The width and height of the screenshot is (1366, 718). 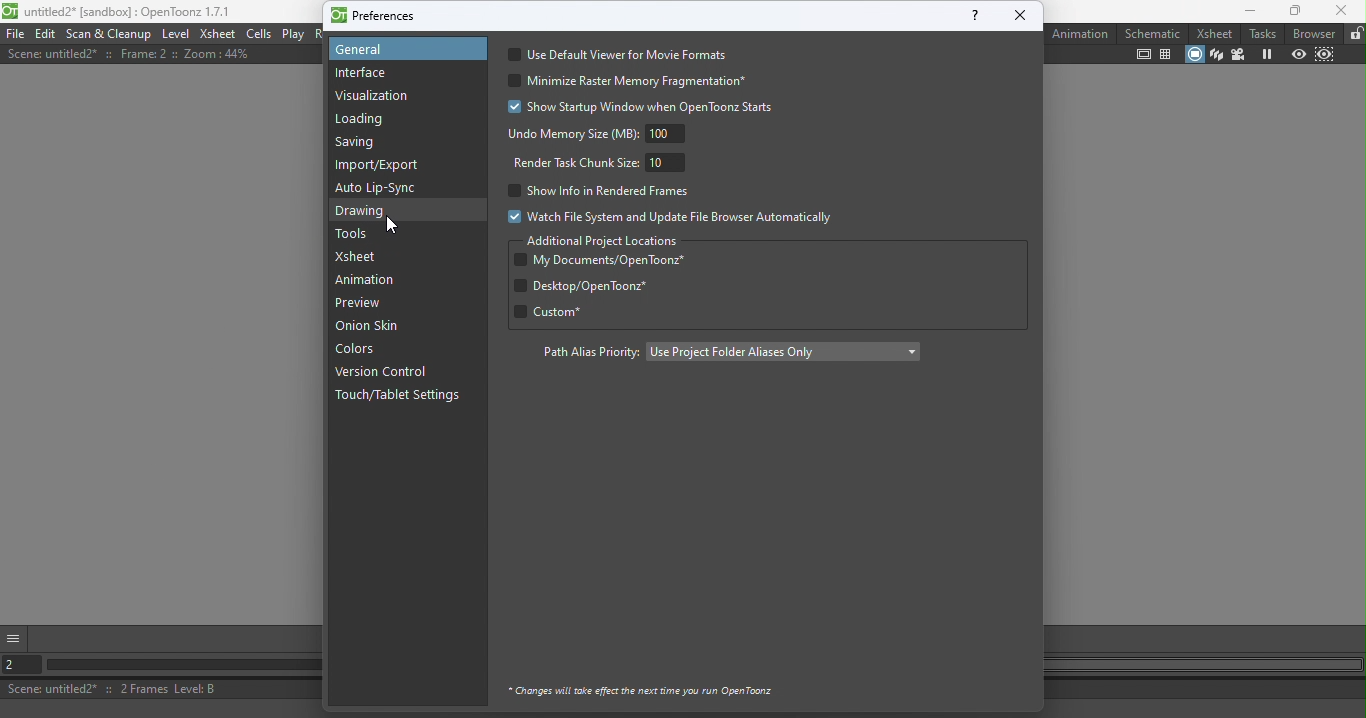 I want to click on Watch file system and update file browser automatically, so click(x=666, y=216).